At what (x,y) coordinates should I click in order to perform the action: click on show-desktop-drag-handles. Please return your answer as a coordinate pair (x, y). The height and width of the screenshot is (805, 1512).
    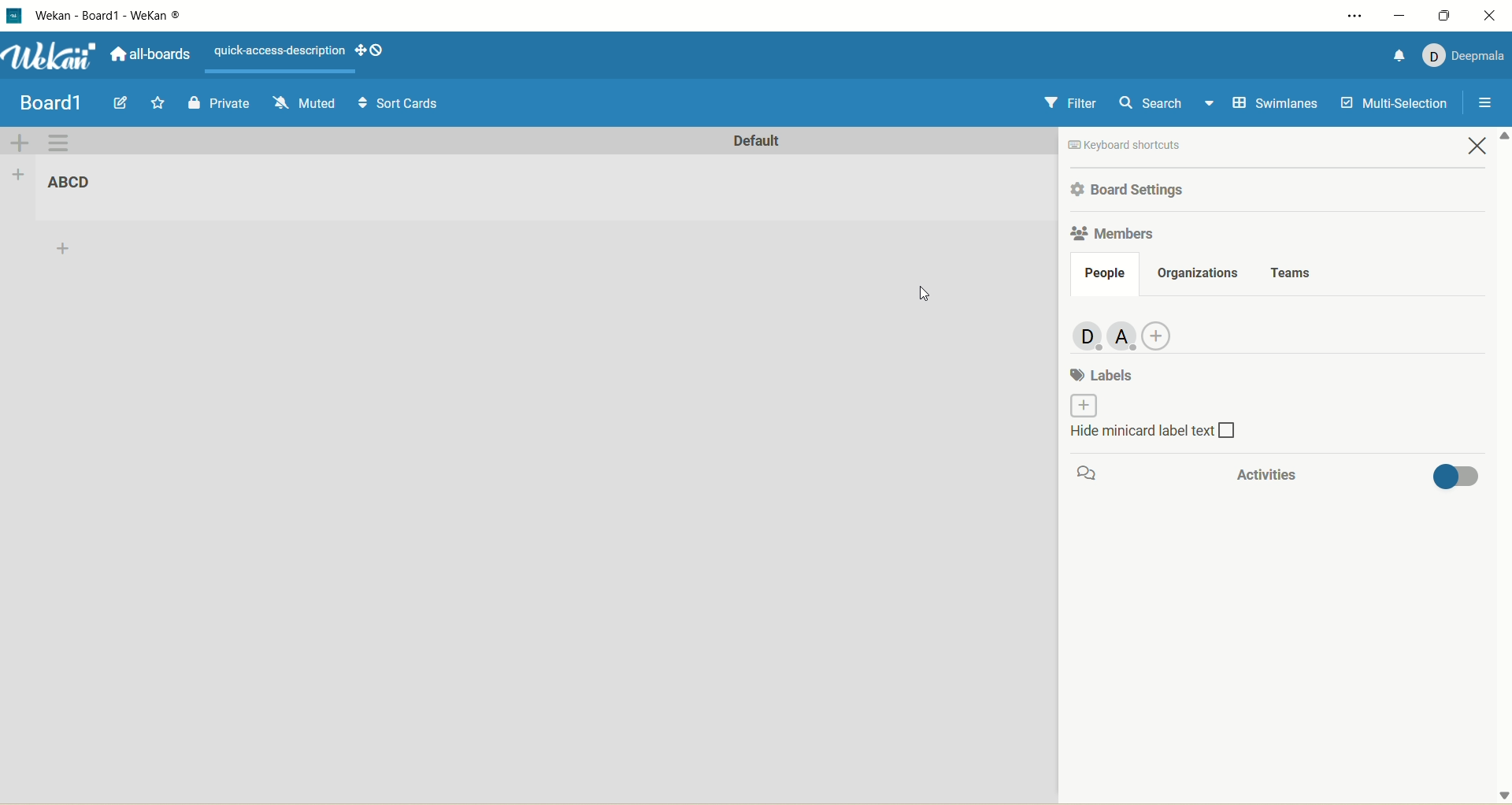
    Looking at the image, I should click on (360, 50).